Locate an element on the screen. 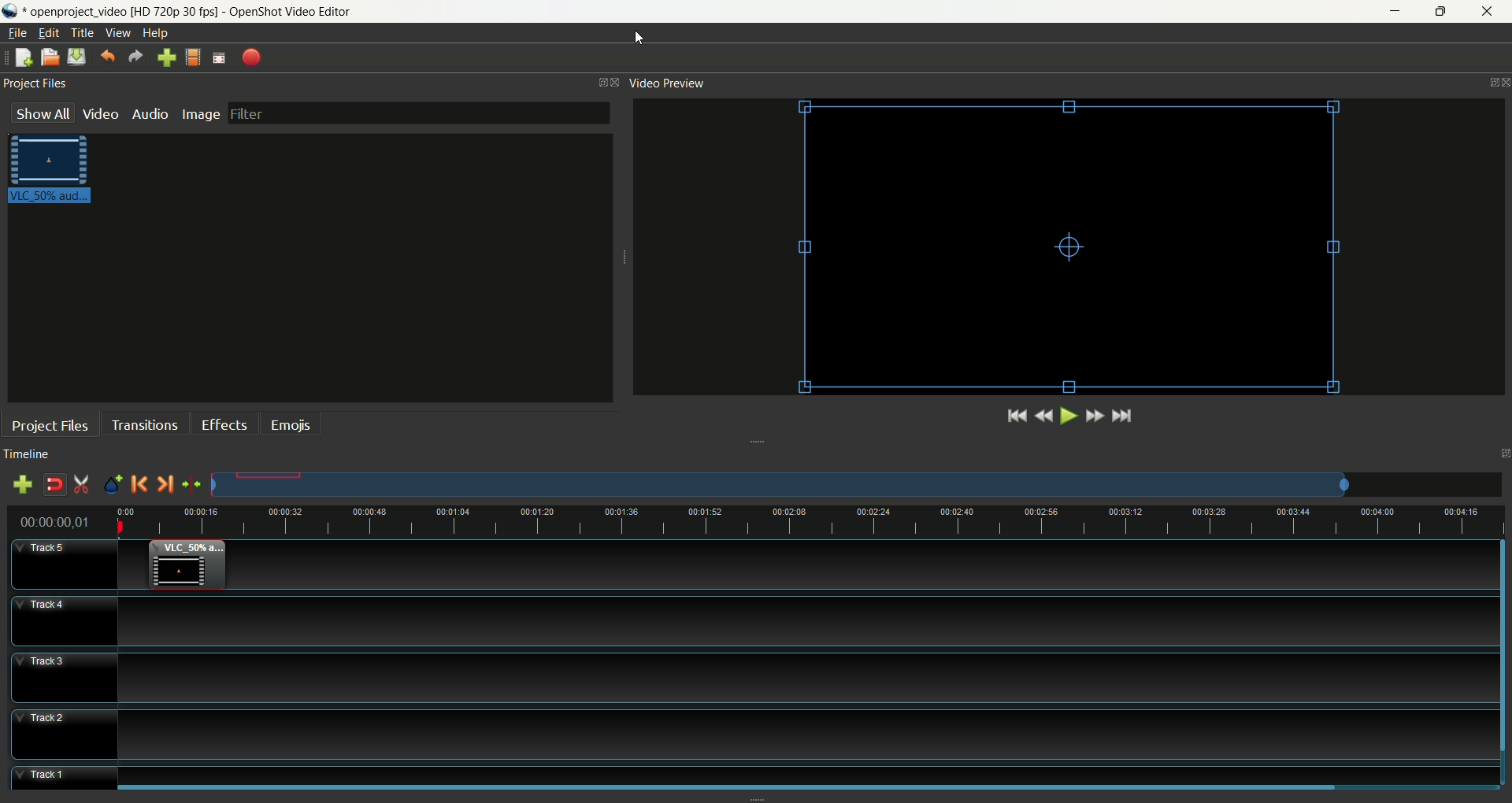 The width and height of the screenshot is (1512, 803). image is located at coordinates (200, 115).